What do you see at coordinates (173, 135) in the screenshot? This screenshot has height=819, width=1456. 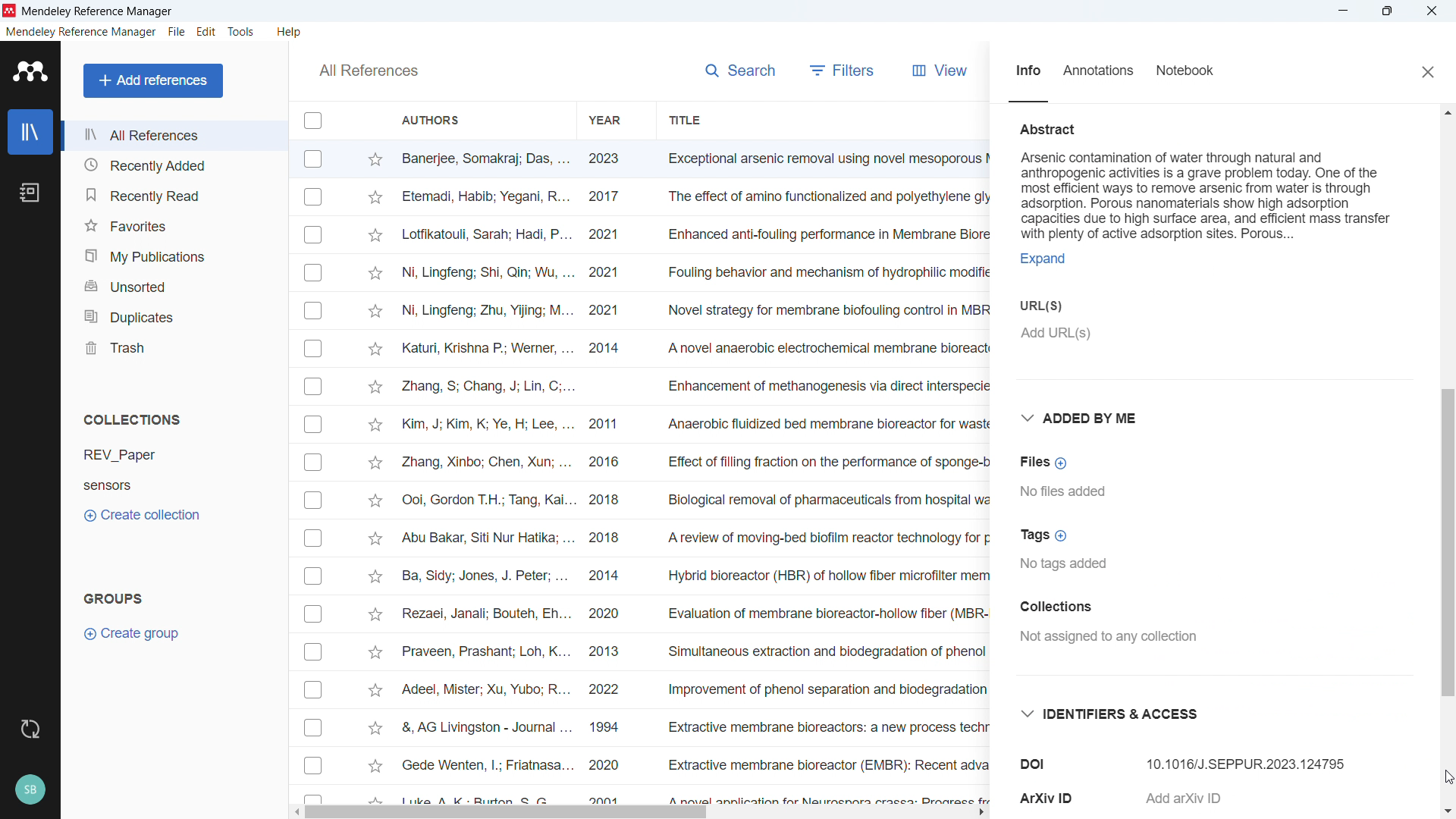 I see `All references ` at bounding box center [173, 135].